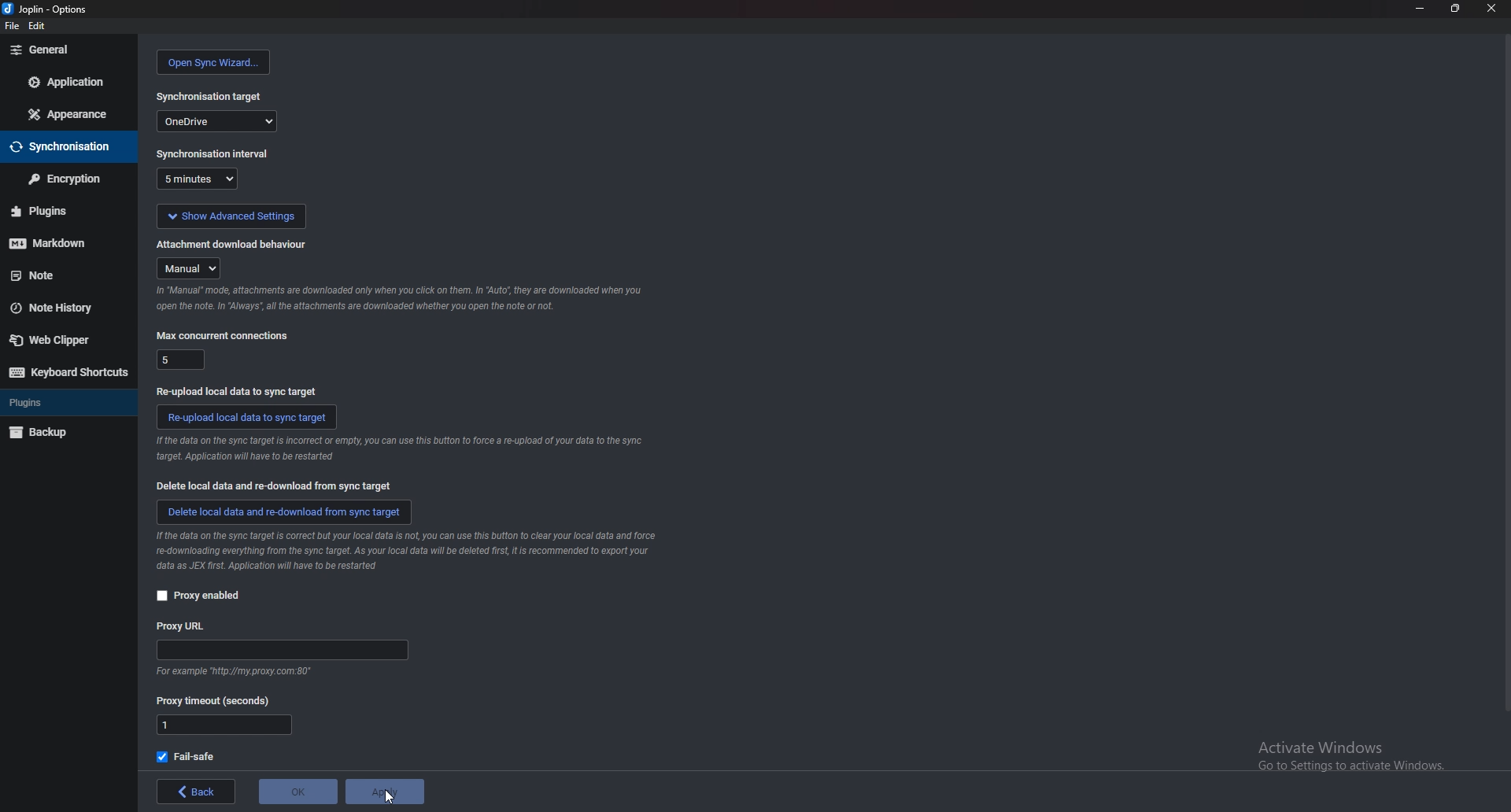 The image size is (1511, 812). I want to click on back, so click(199, 792).